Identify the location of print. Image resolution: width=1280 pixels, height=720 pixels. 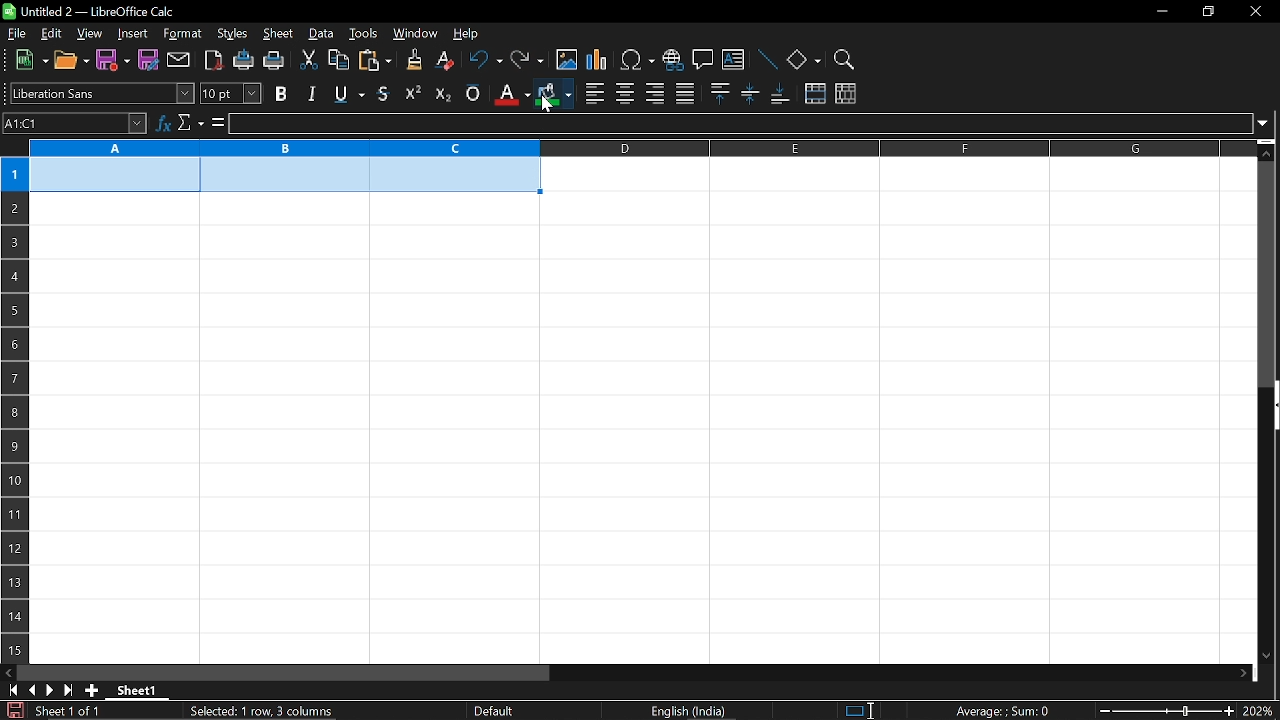
(275, 61).